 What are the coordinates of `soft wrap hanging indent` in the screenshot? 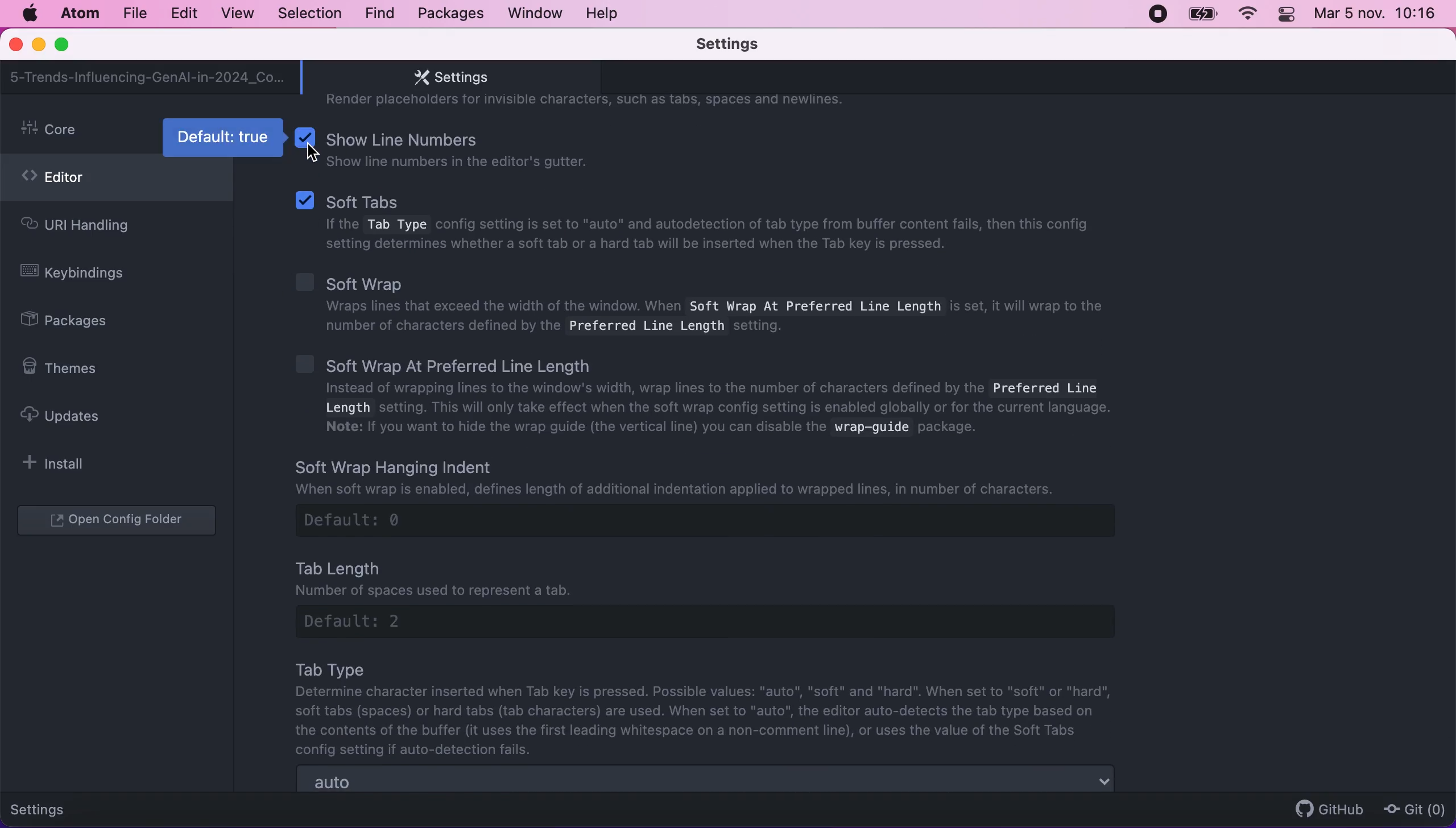 It's located at (730, 496).